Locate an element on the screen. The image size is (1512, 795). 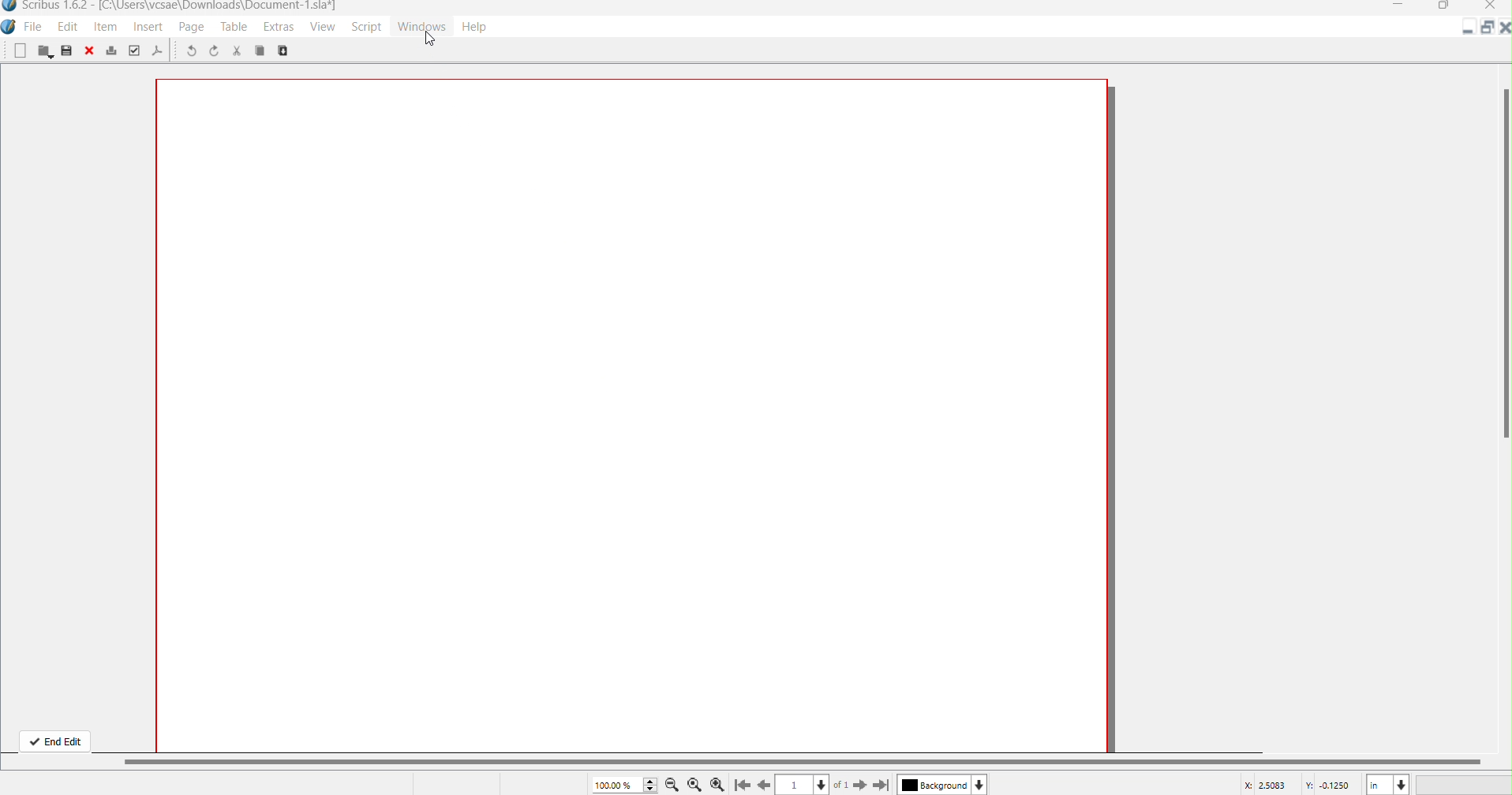
blank is located at coordinates (20, 52).